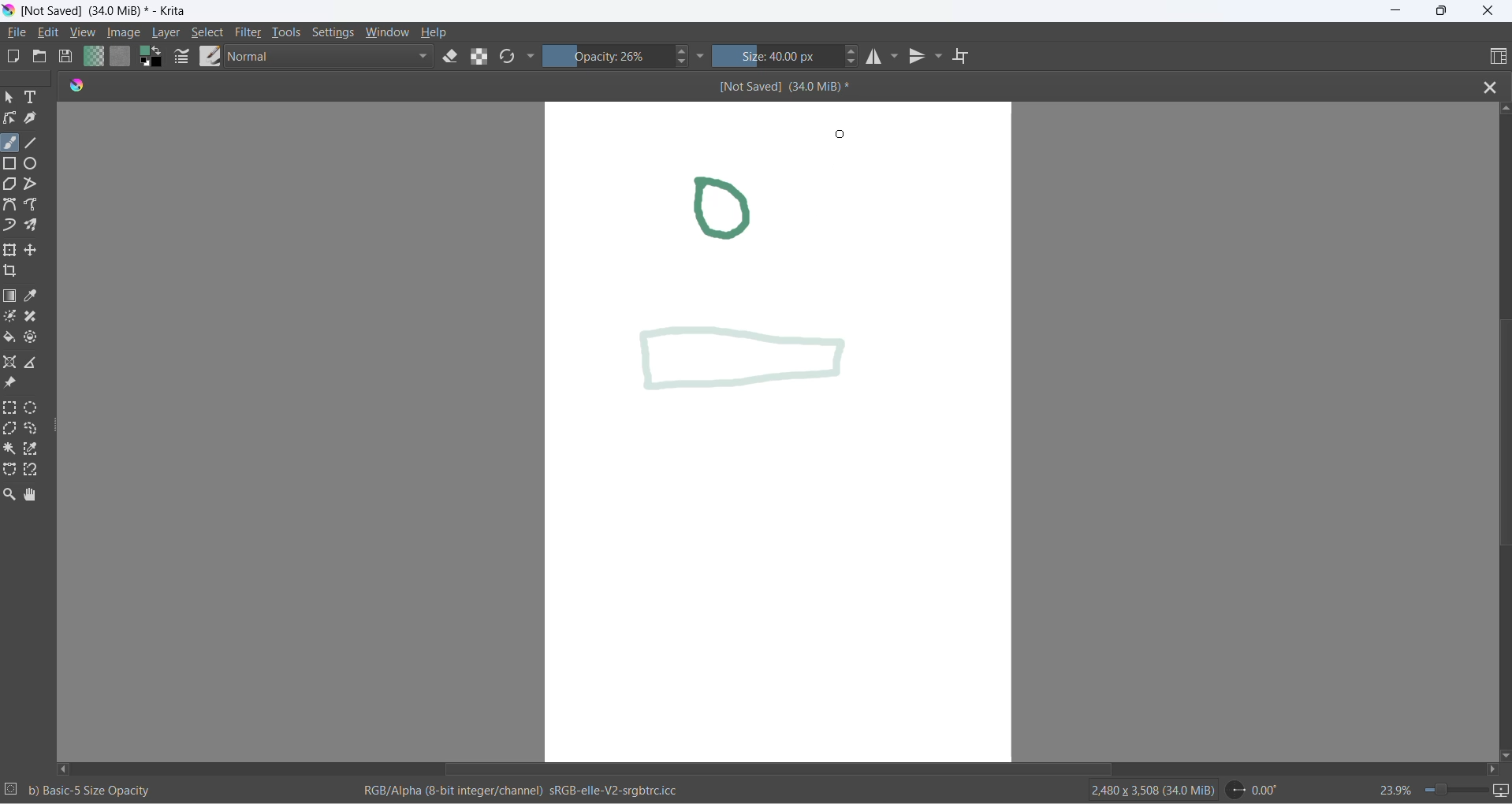 The image size is (1512, 804). I want to click on freehand brush tool, so click(12, 141).